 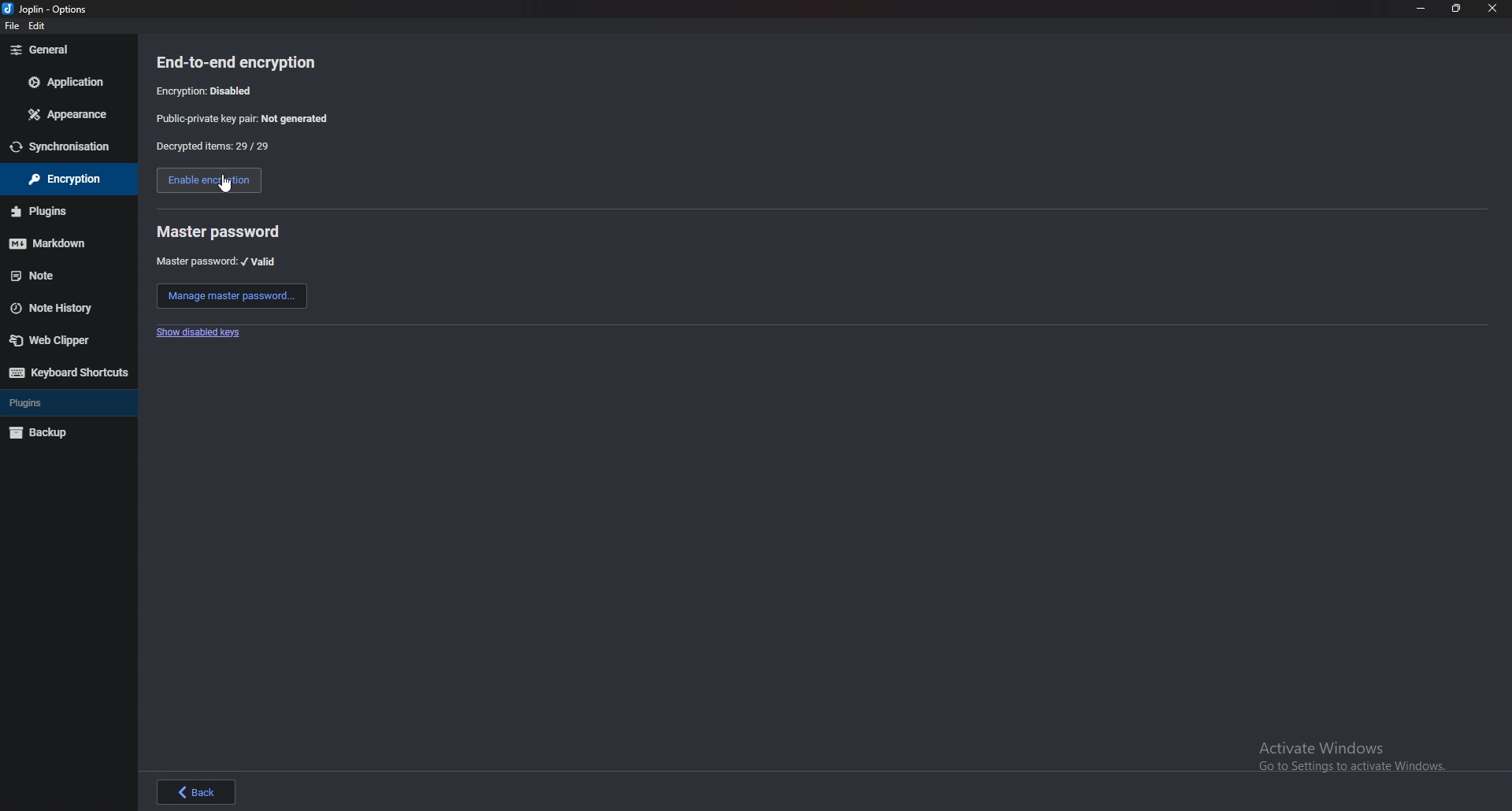 I want to click on , so click(x=55, y=343).